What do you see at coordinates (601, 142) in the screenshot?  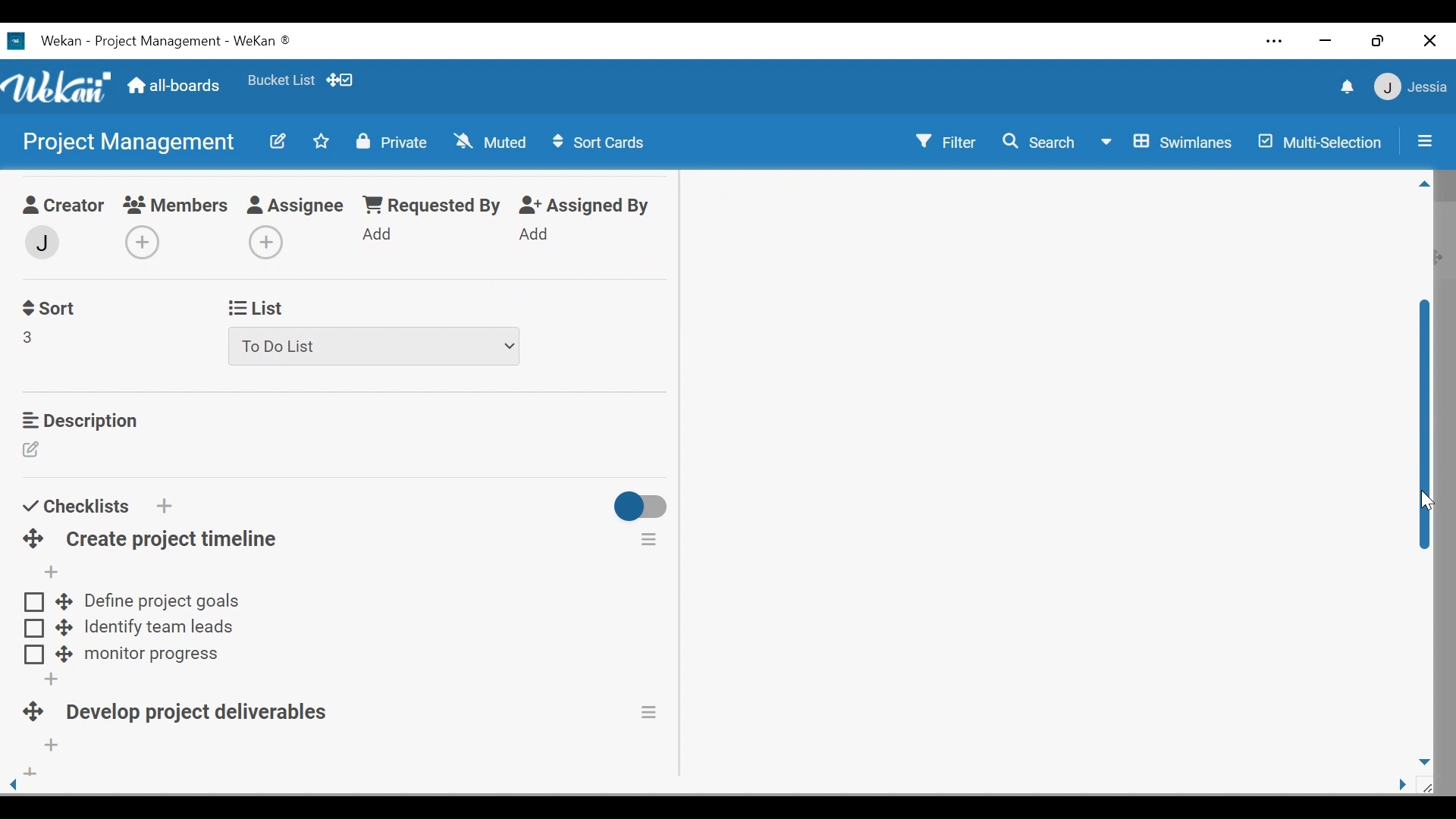 I see `Sort Cards` at bounding box center [601, 142].